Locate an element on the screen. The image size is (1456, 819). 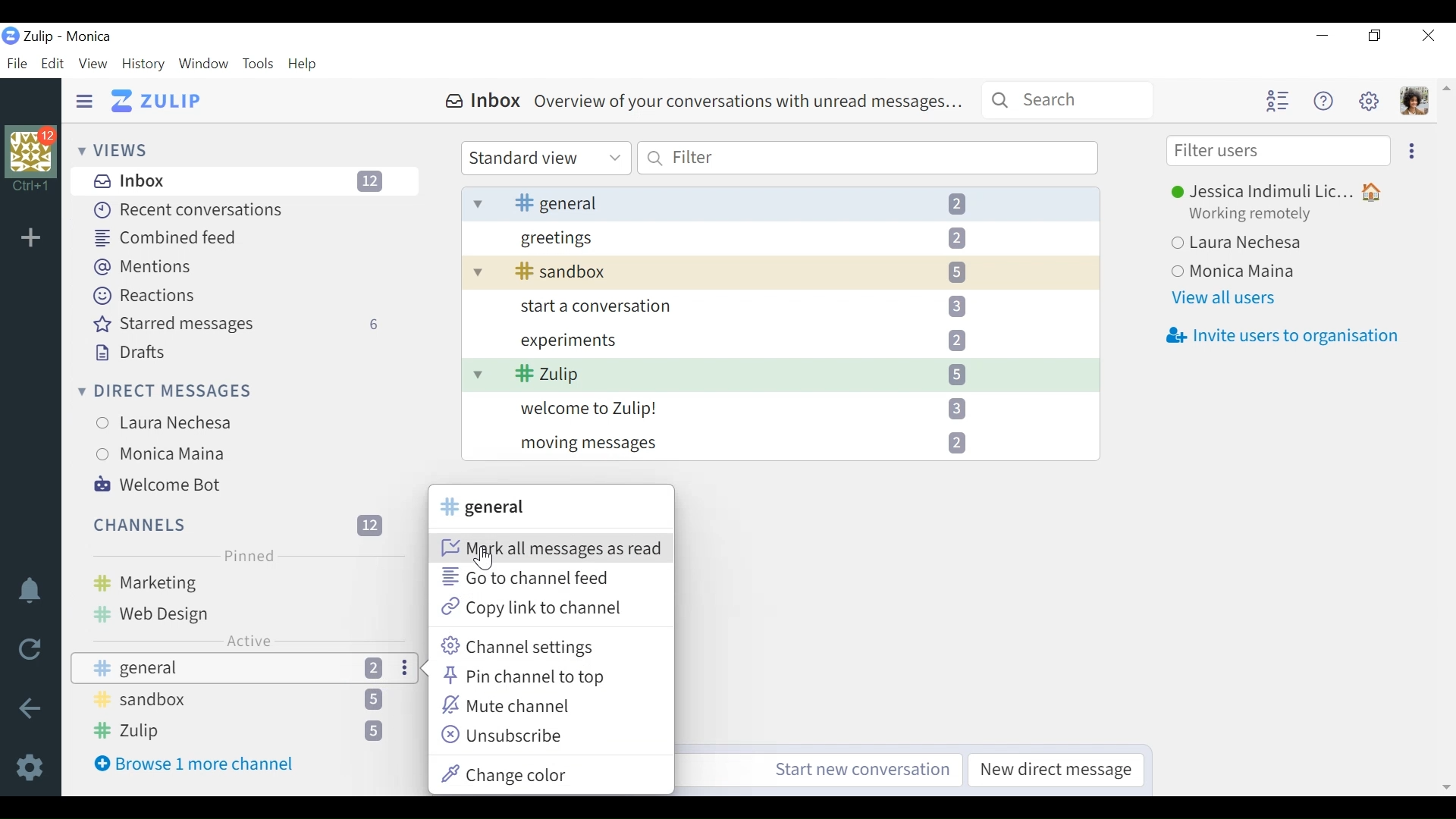
New topic is located at coordinates (349, 668).